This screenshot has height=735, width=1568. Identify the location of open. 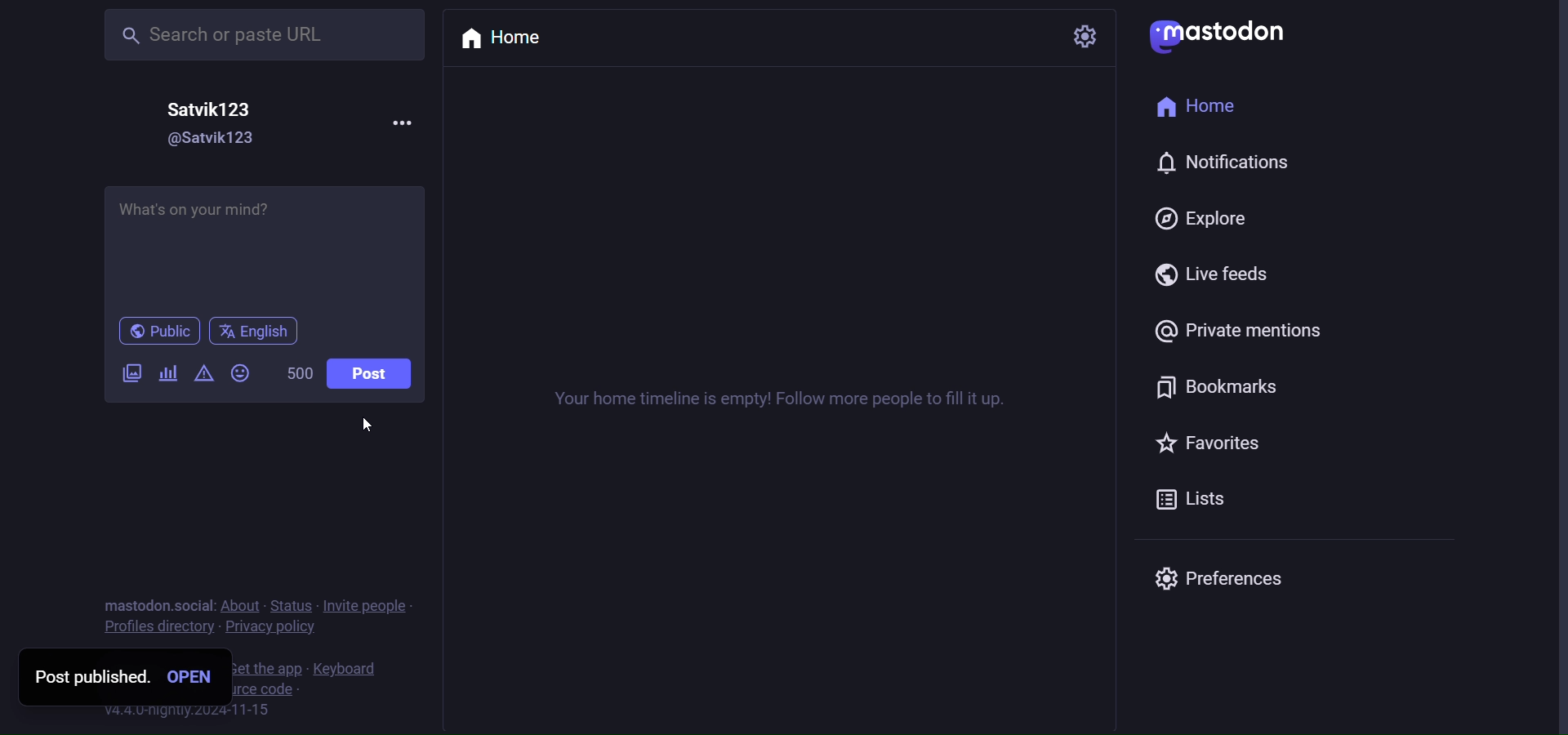
(199, 677).